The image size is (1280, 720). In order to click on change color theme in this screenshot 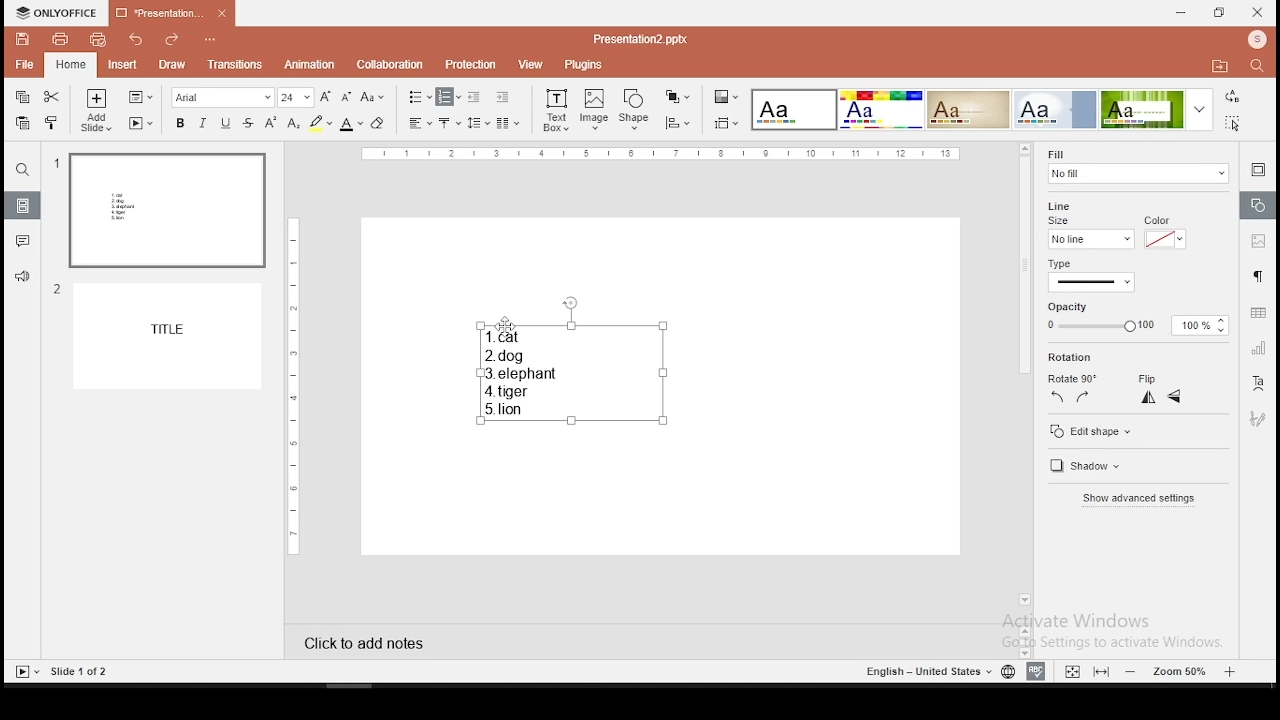, I will do `click(726, 96)`.